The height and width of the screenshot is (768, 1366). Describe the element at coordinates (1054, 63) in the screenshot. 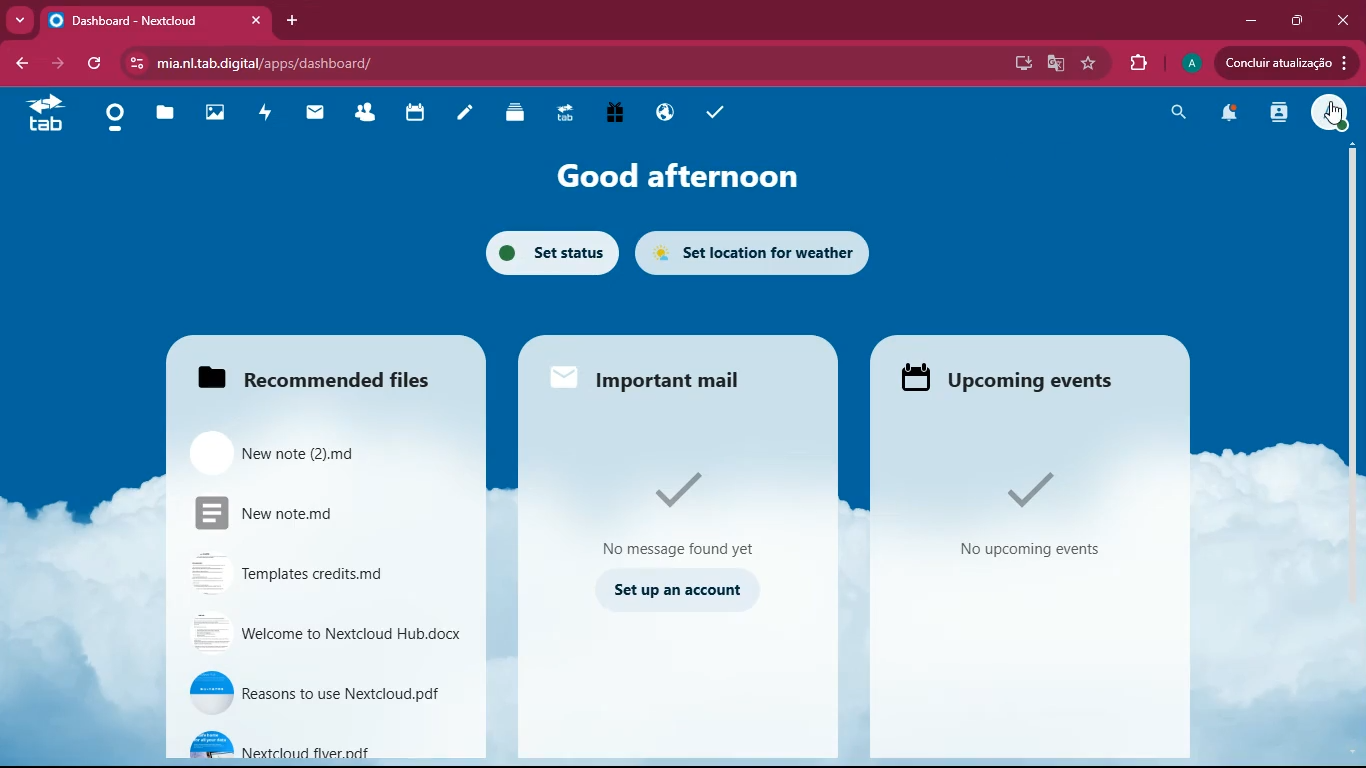

I see `google translate` at that location.